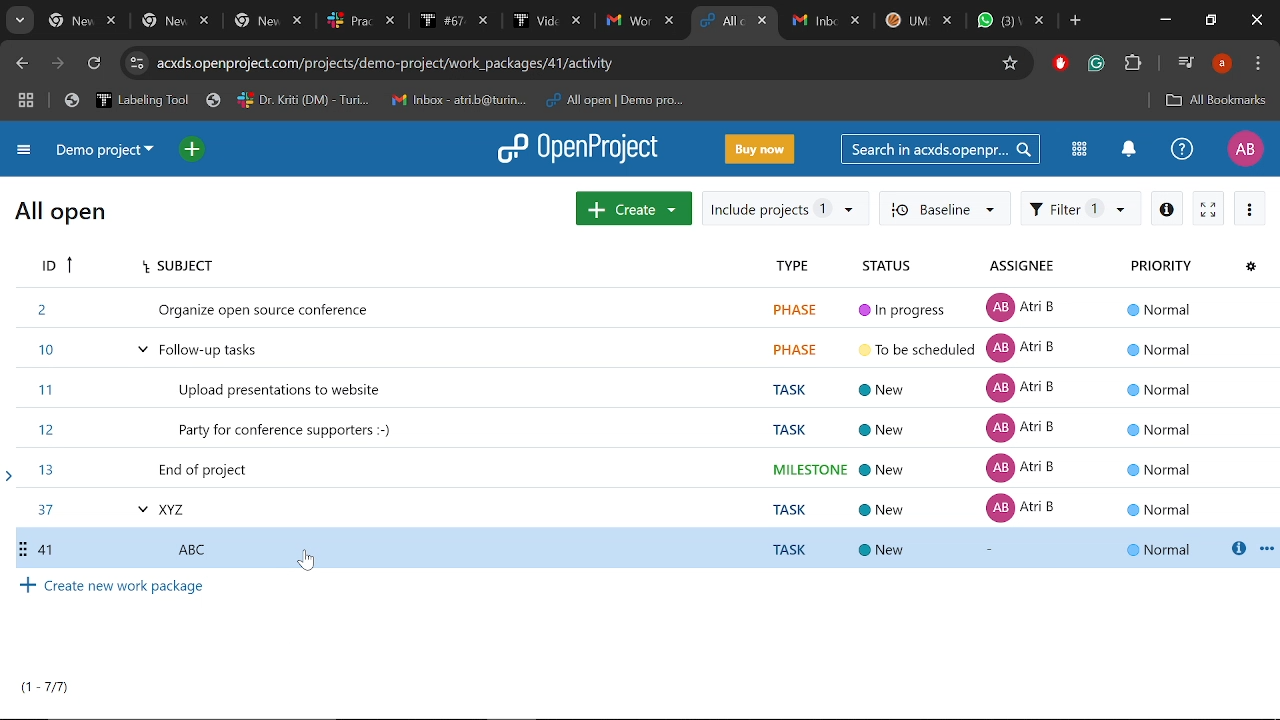 This screenshot has height=720, width=1280. What do you see at coordinates (945, 207) in the screenshot?
I see `Baseline` at bounding box center [945, 207].